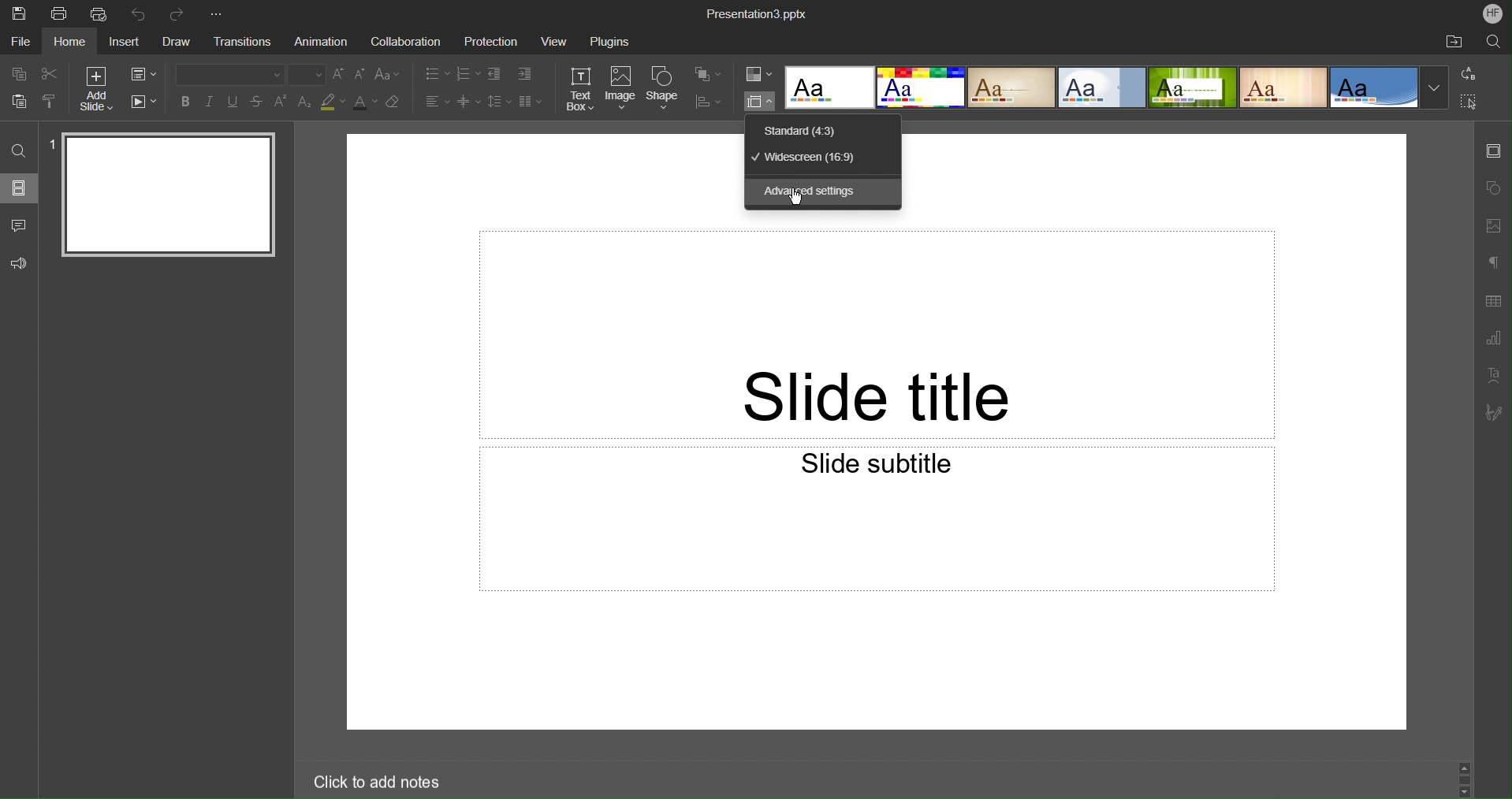 Image resolution: width=1512 pixels, height=799 pixels. I want to click on Insert, so click(125, 43).